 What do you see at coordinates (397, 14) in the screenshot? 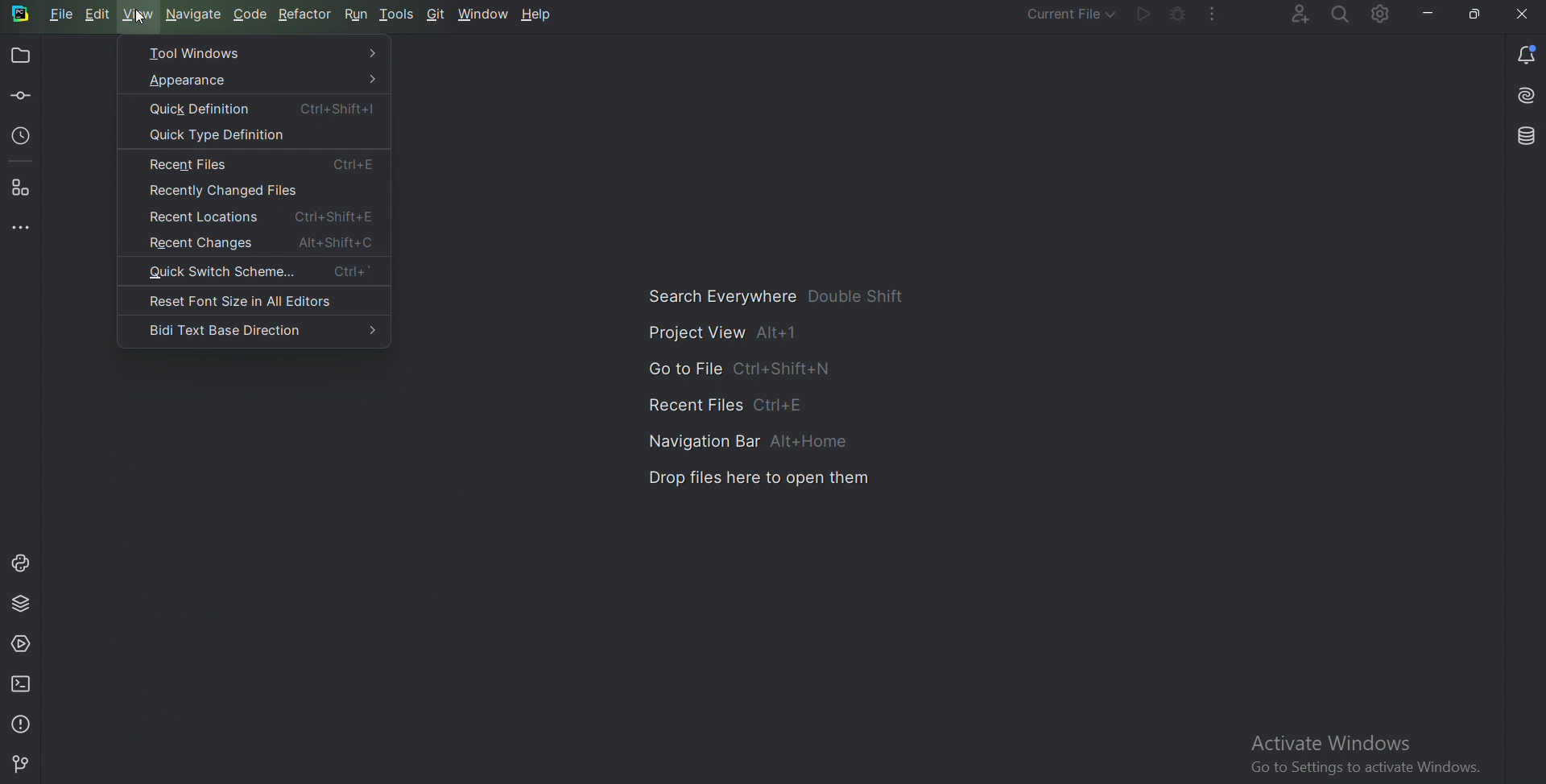
I see `Tools` at bounding box center [397, 14].